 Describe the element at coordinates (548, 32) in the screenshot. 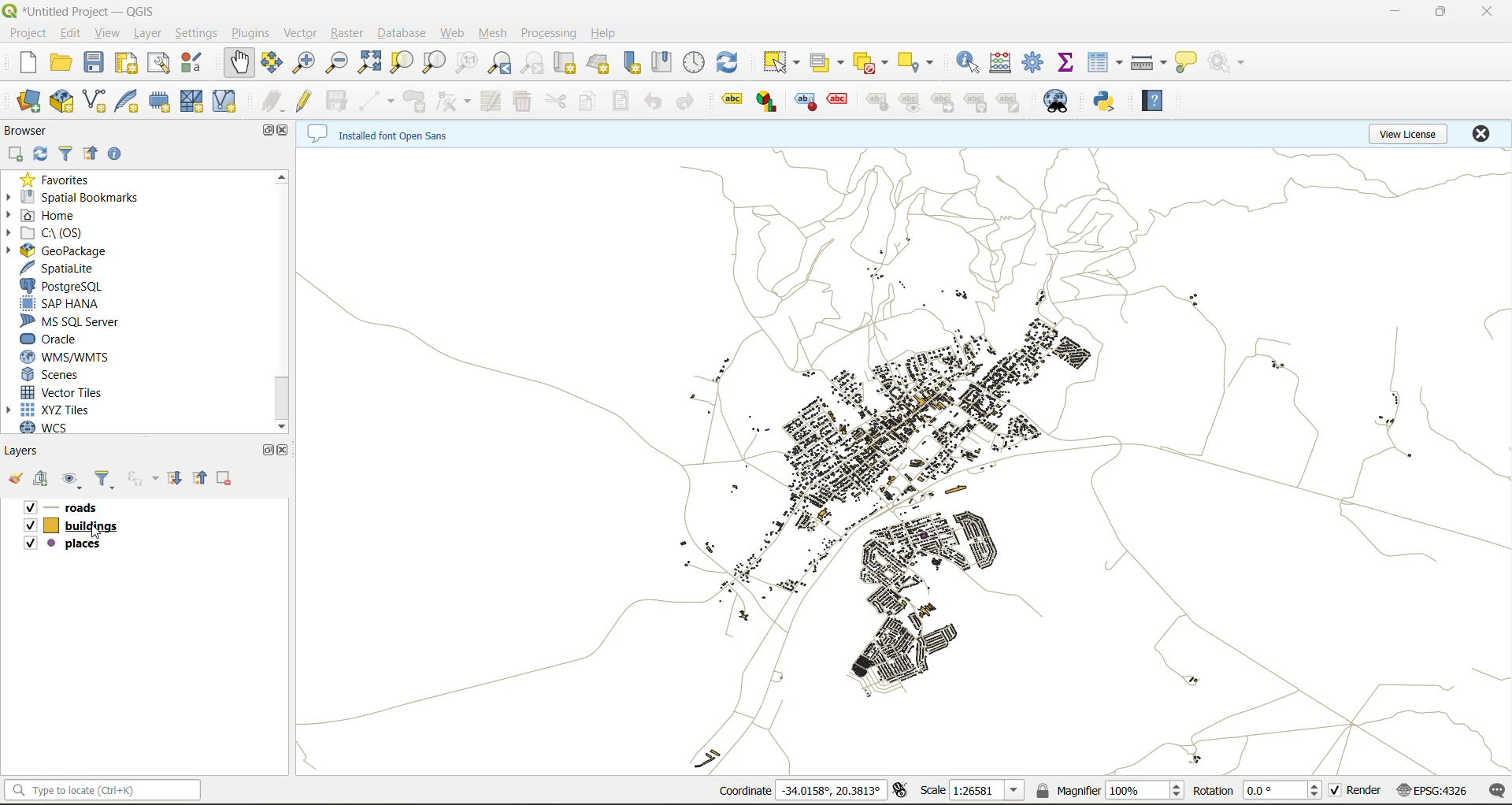

I see `processing` at that location.